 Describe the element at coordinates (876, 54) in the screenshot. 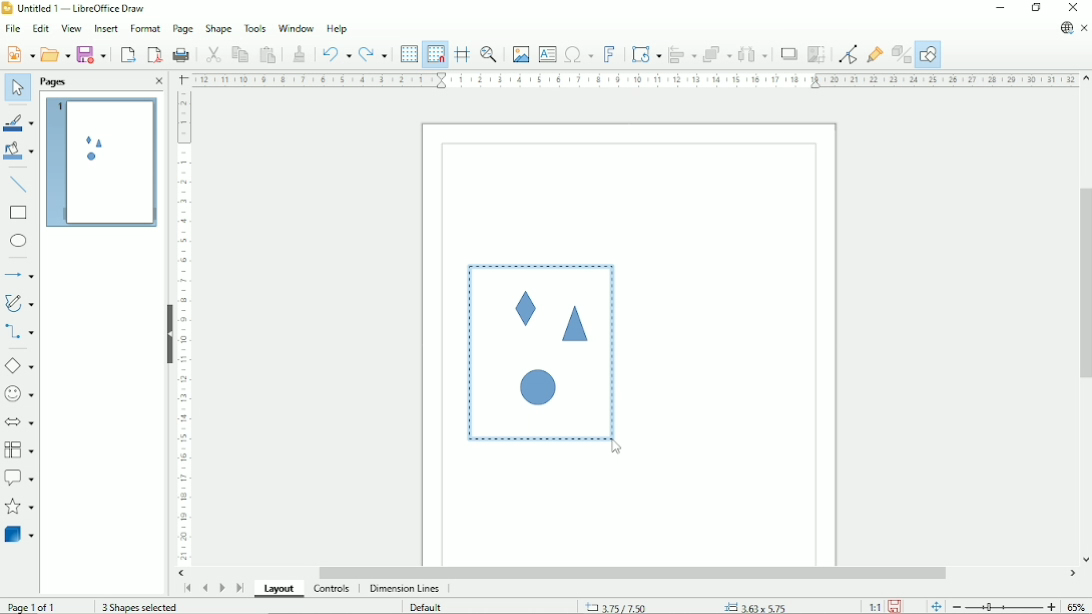

I see `Show gluepoint functions` at that location.